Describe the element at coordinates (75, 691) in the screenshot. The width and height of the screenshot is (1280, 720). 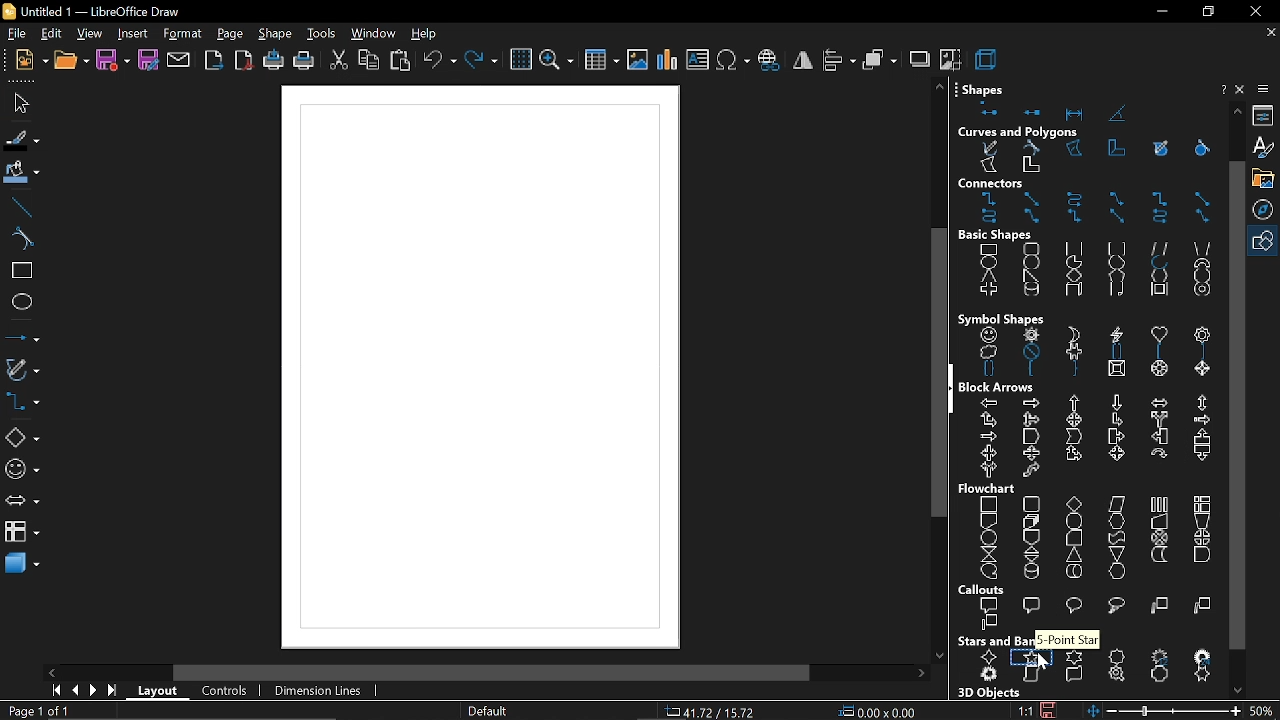
I see `previous page` at that location.